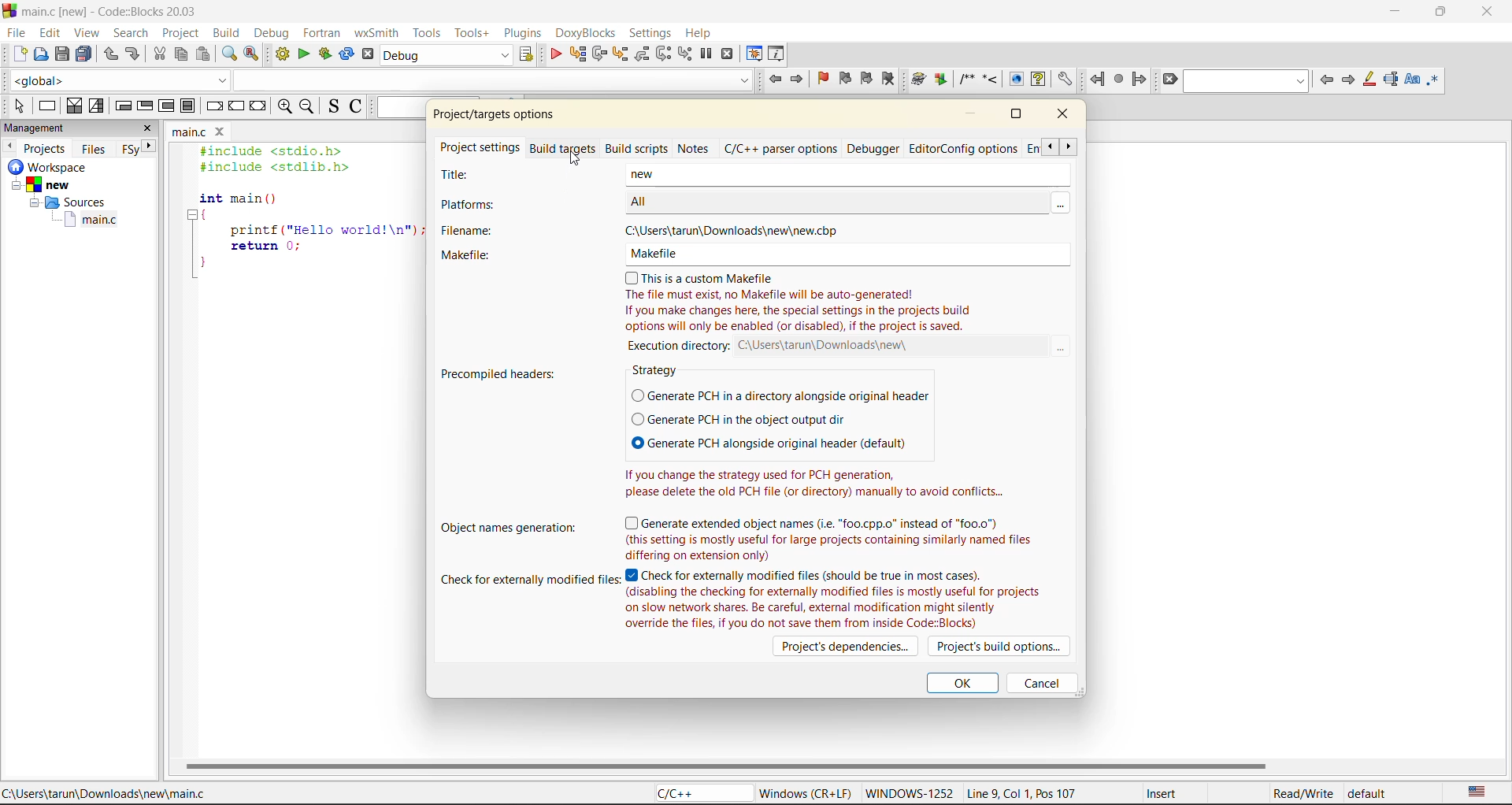  What do you see at coordinates (1401, 13) in the screenshot?
I see `minimize` at bounding box center [1401, 13].